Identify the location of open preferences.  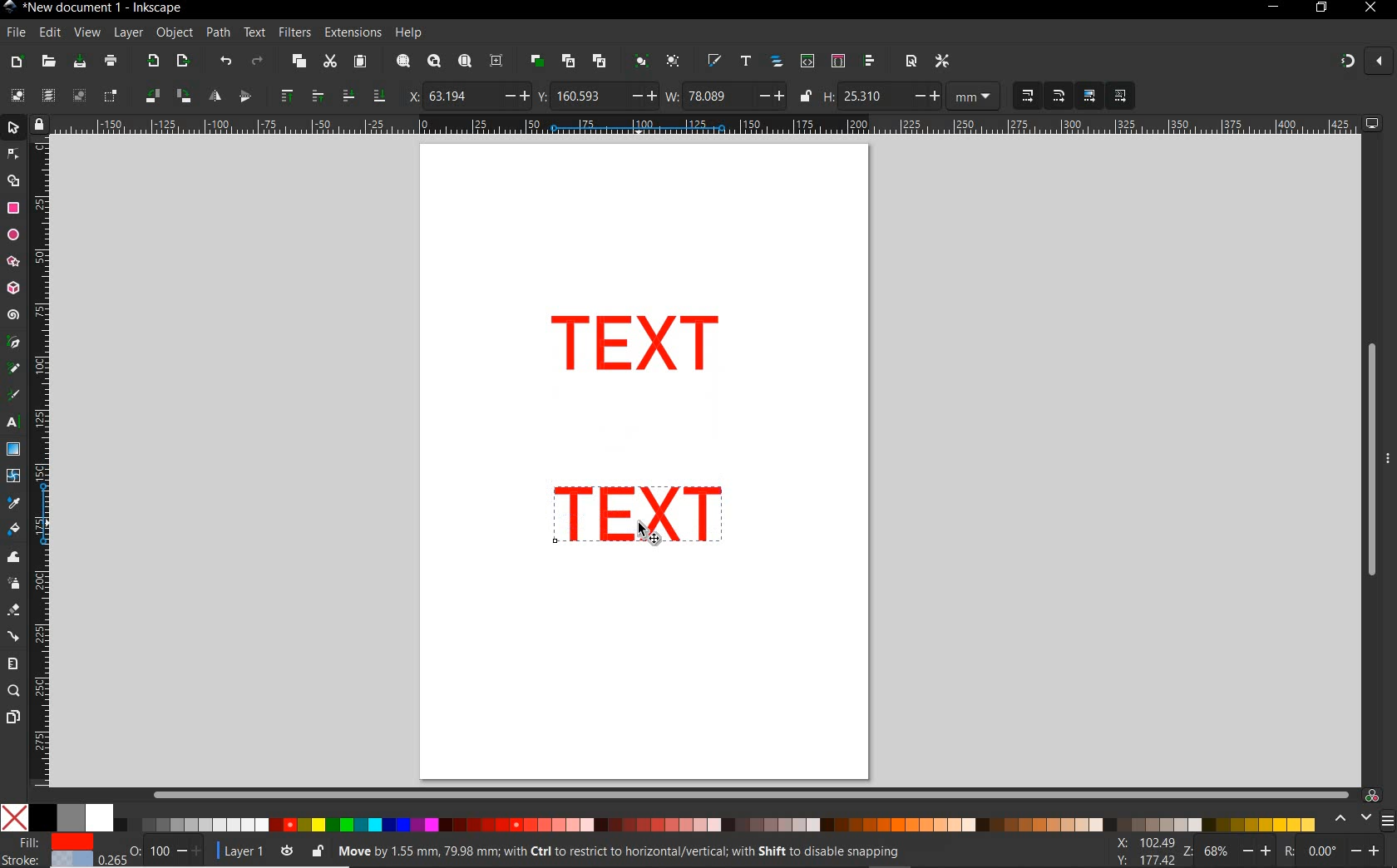
(943, 60).